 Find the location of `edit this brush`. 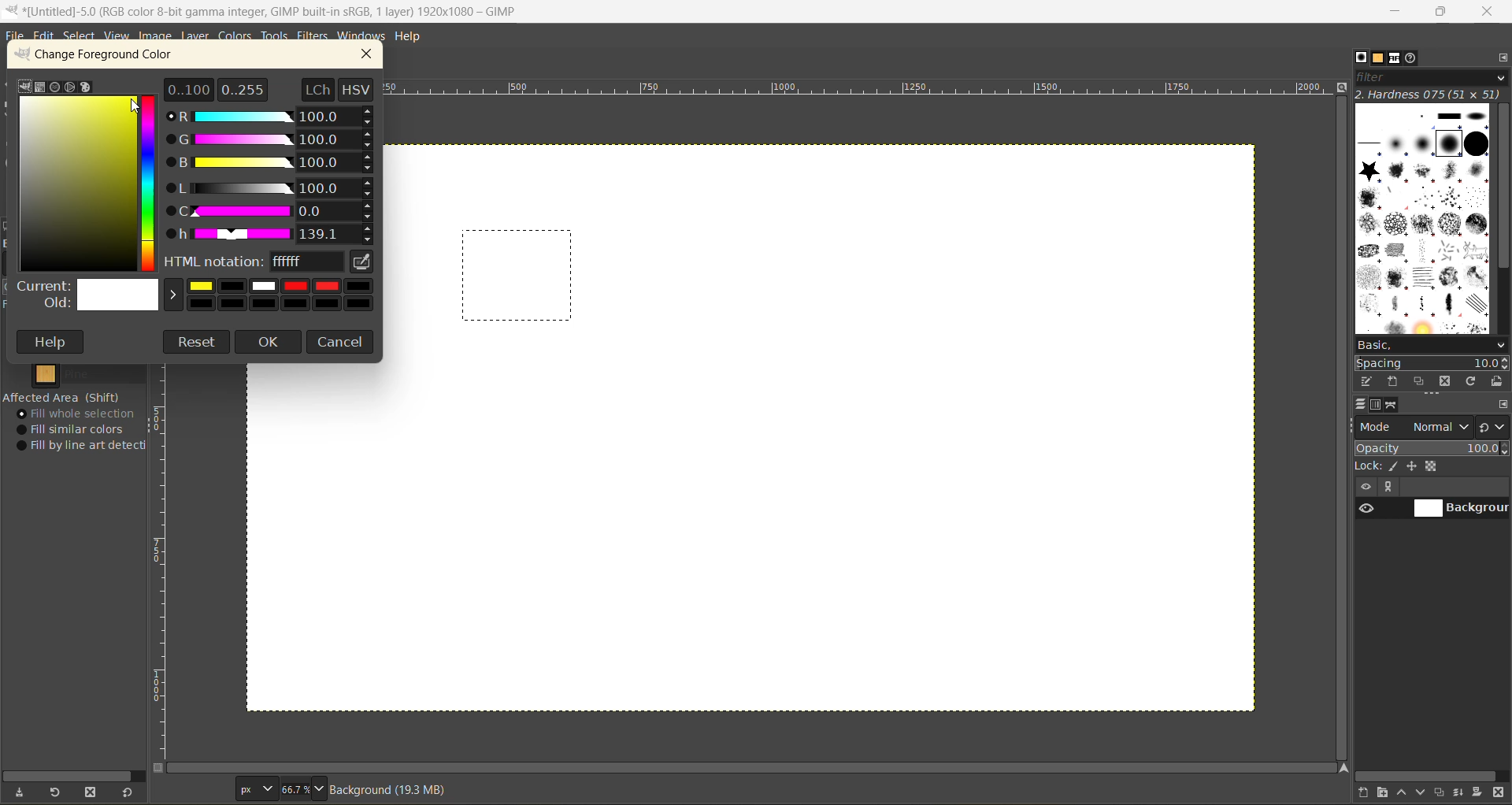

edit this brush is located at coordinates (1369, 383).